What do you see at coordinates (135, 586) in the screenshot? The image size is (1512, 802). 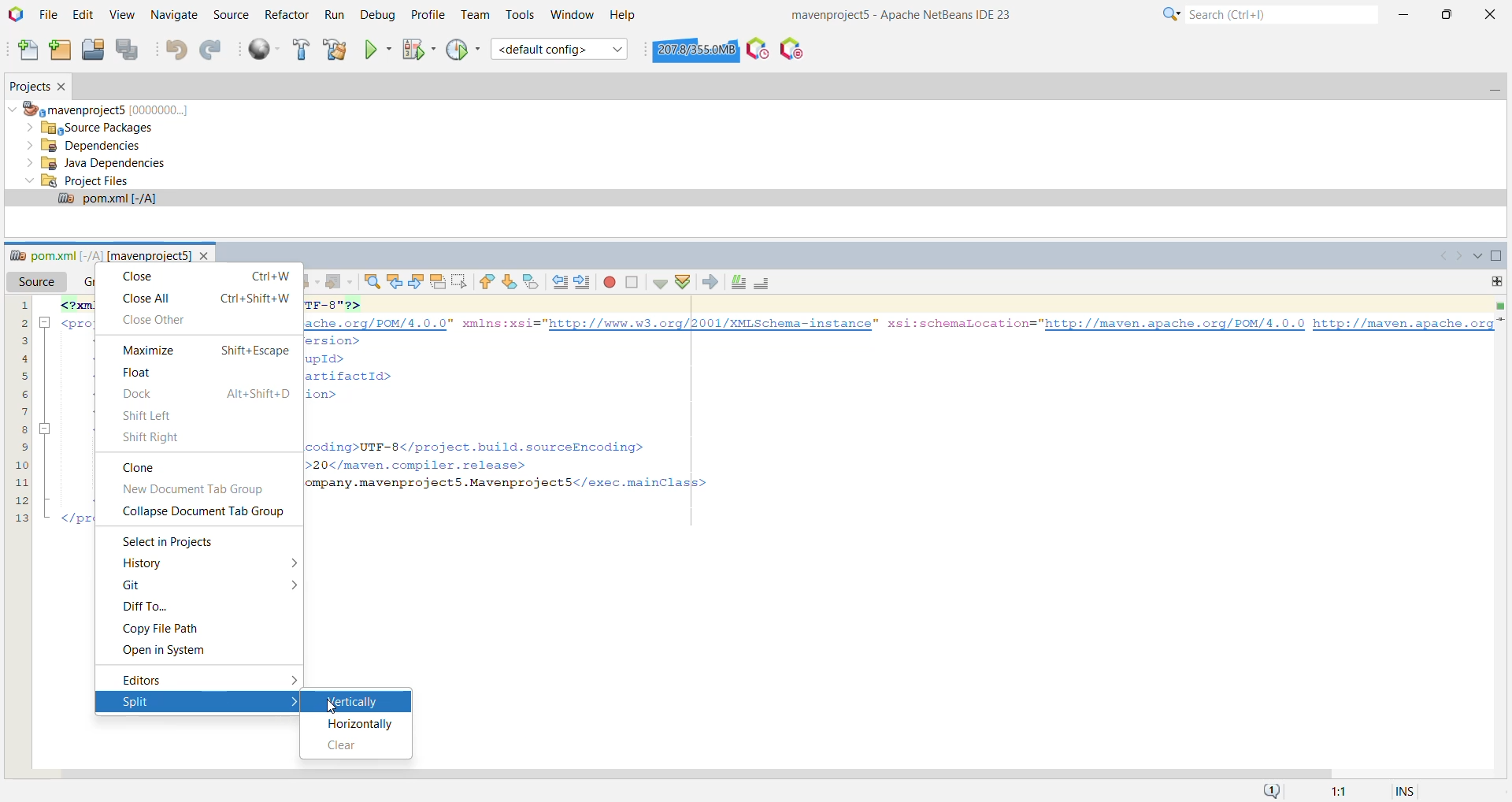 I see `Git` at bounding box center [135, 586].